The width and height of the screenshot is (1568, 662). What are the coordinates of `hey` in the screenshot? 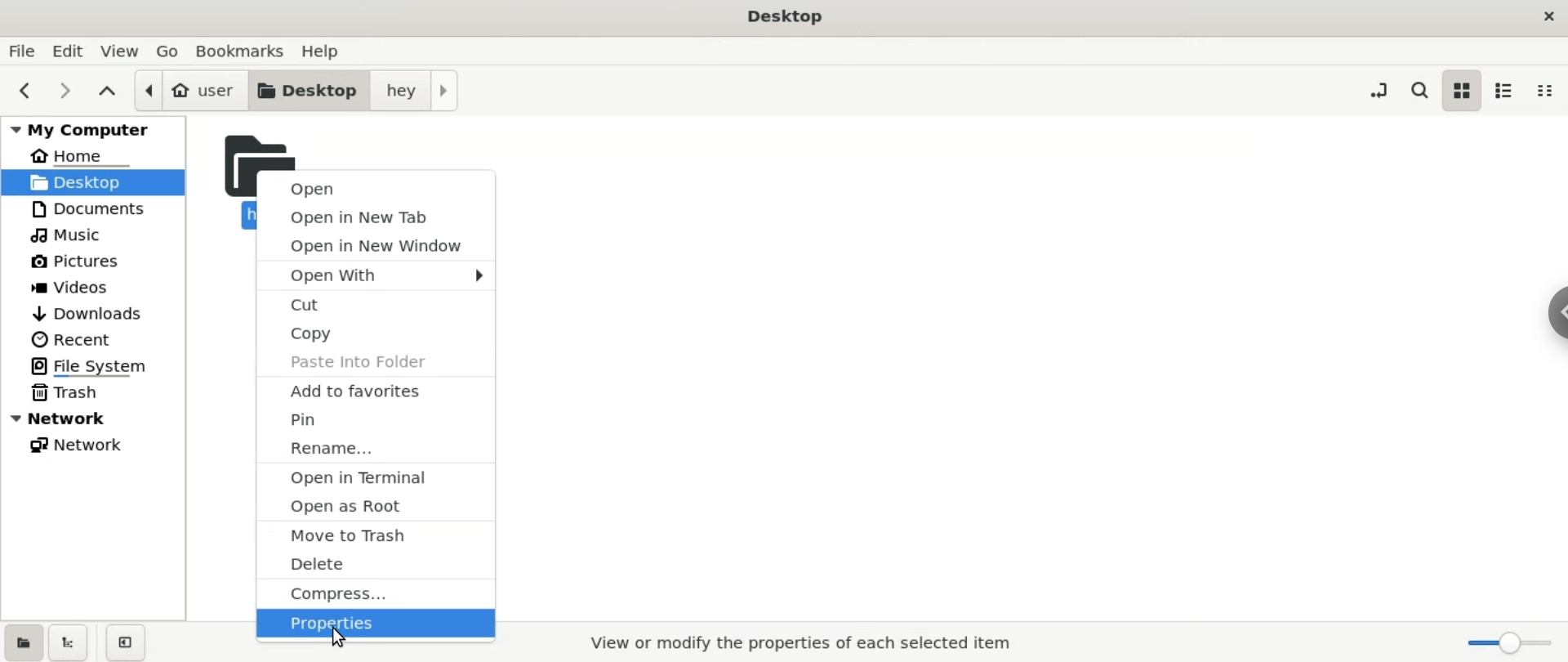 It's located at (412, 89).